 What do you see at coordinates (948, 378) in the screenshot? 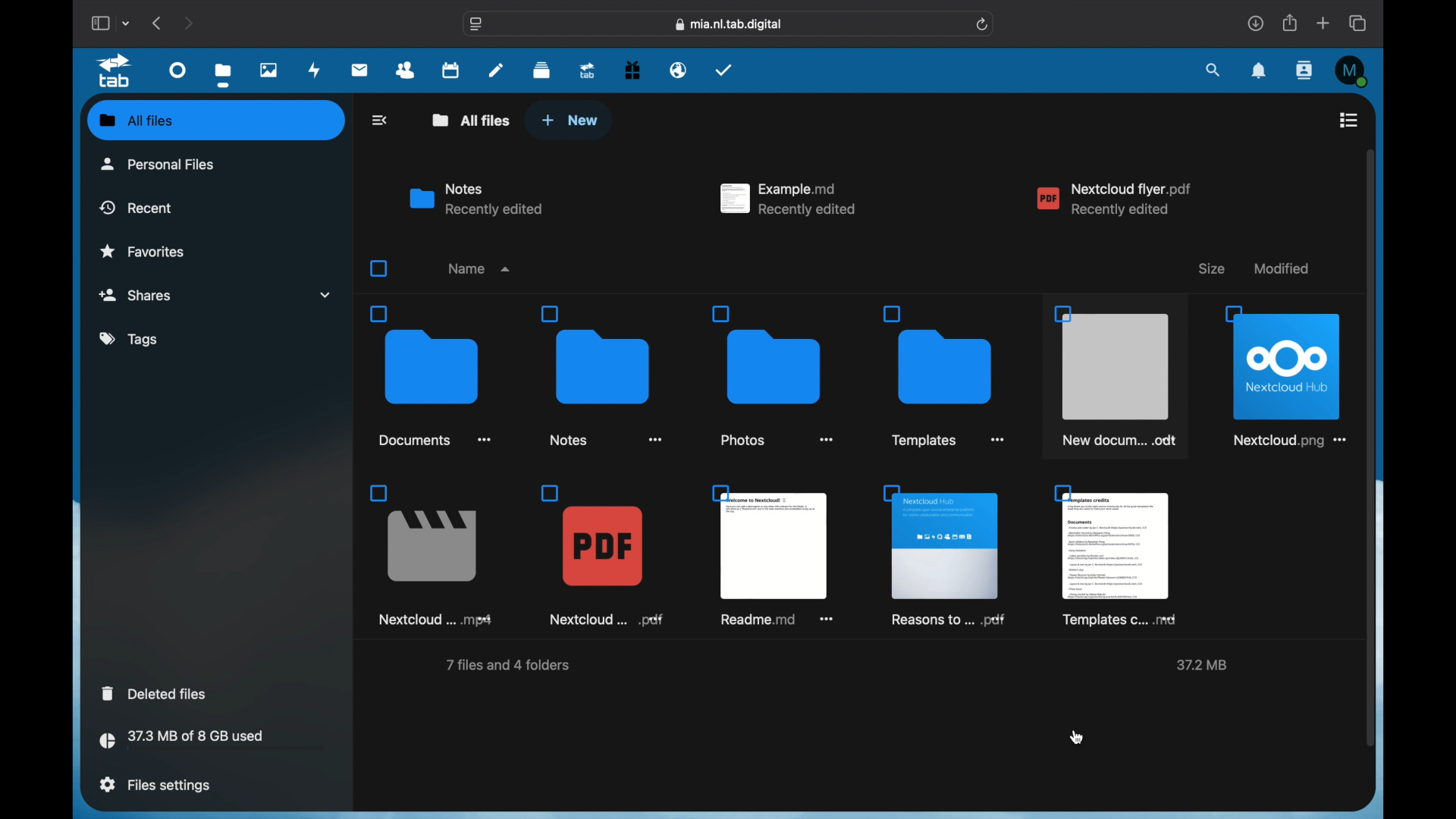
I see `folder` at bounding box center [948, 378].